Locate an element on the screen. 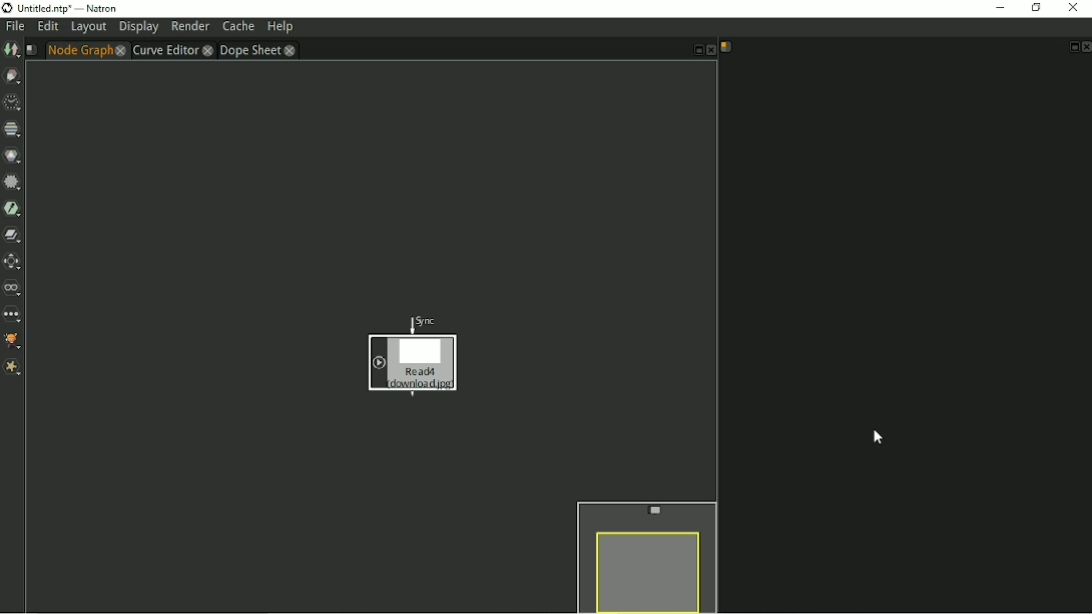 Image resolution: width=1092 pixels, height=614 pixels. Close is located at coordinates (1085, 47).